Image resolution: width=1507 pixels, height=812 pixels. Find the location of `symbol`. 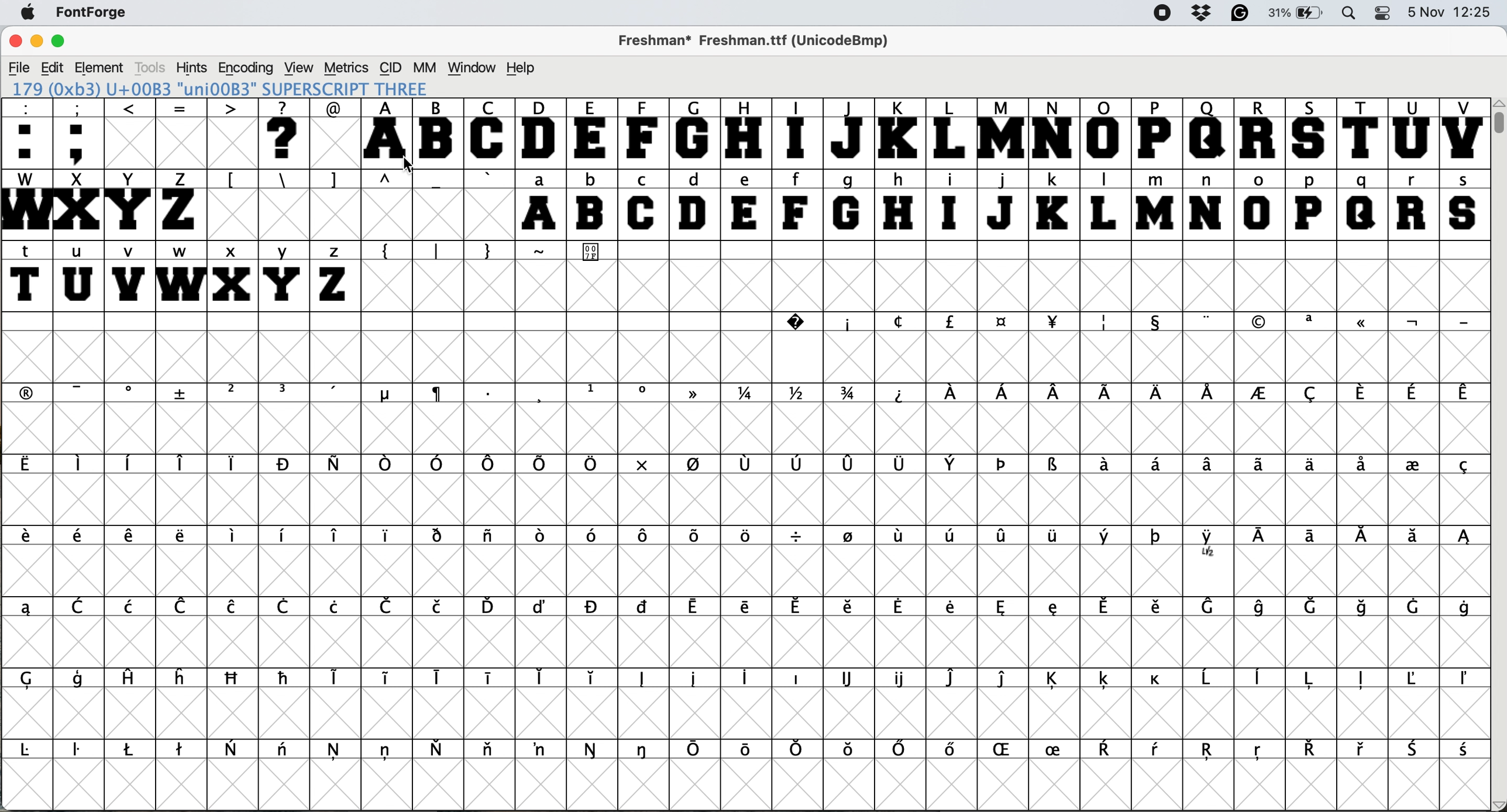

symbol is located at coordinates (181, 750).